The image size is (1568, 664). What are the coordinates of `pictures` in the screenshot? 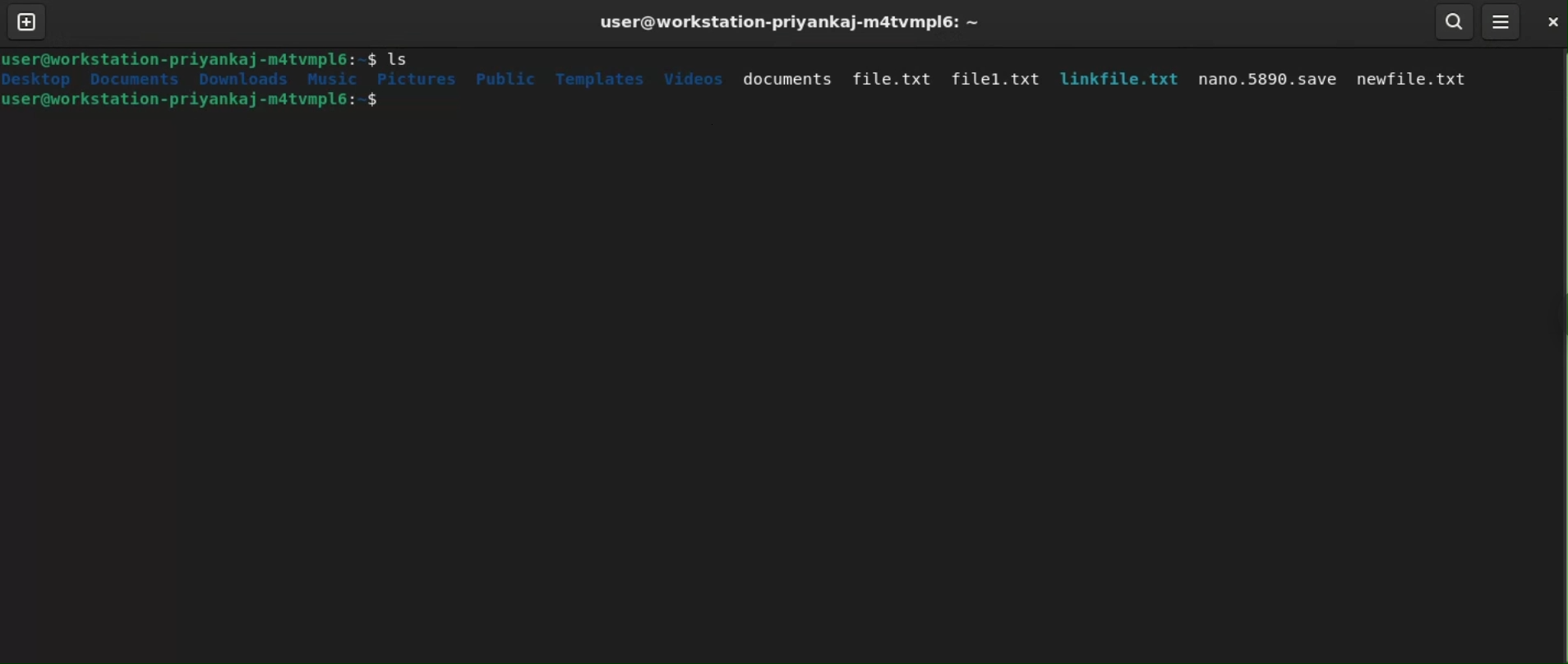 It's located at (416, 79).